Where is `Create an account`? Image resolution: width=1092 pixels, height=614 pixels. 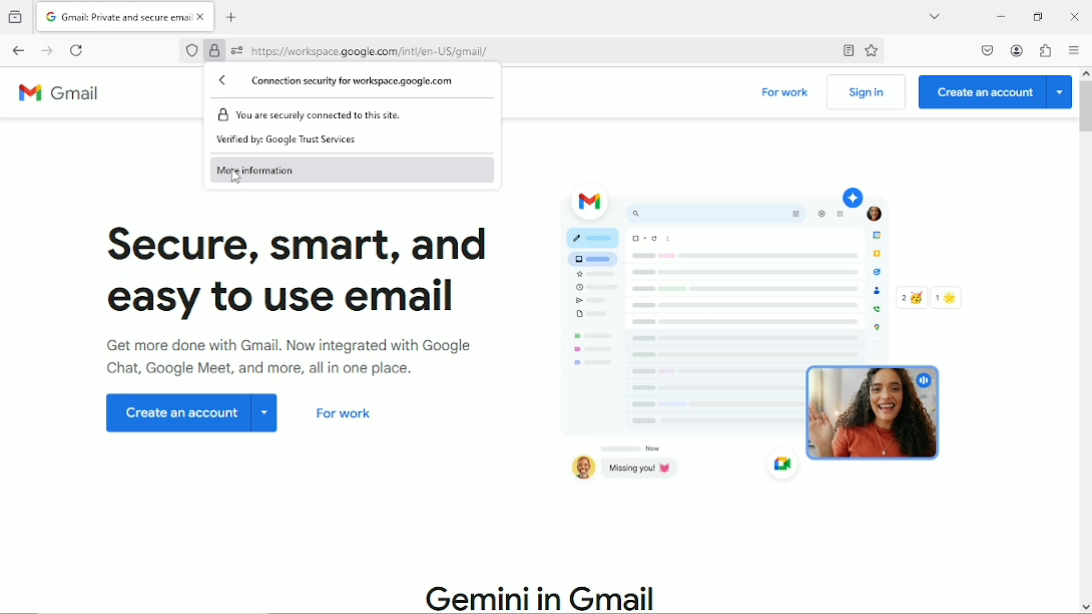
Create an account is located at coordinates (996, 91).